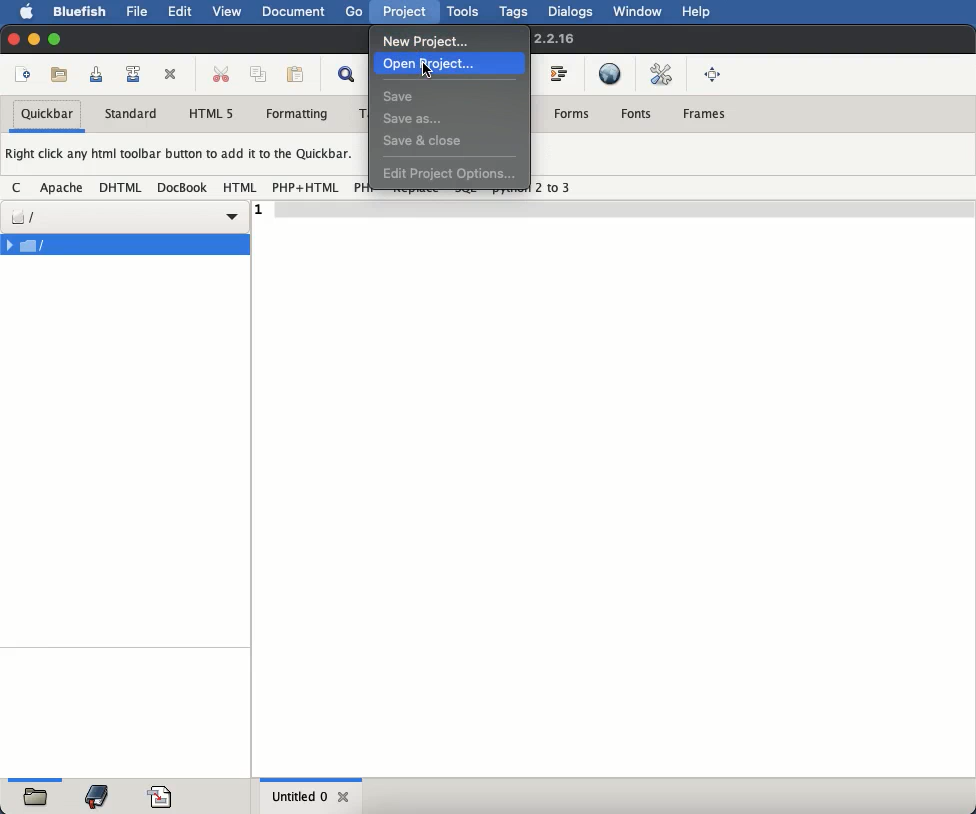 The image size is (976, 814). Describe the element at coordinates (36, 777) in the screenshot. I see `Horizontal Scrollbar` at that location.